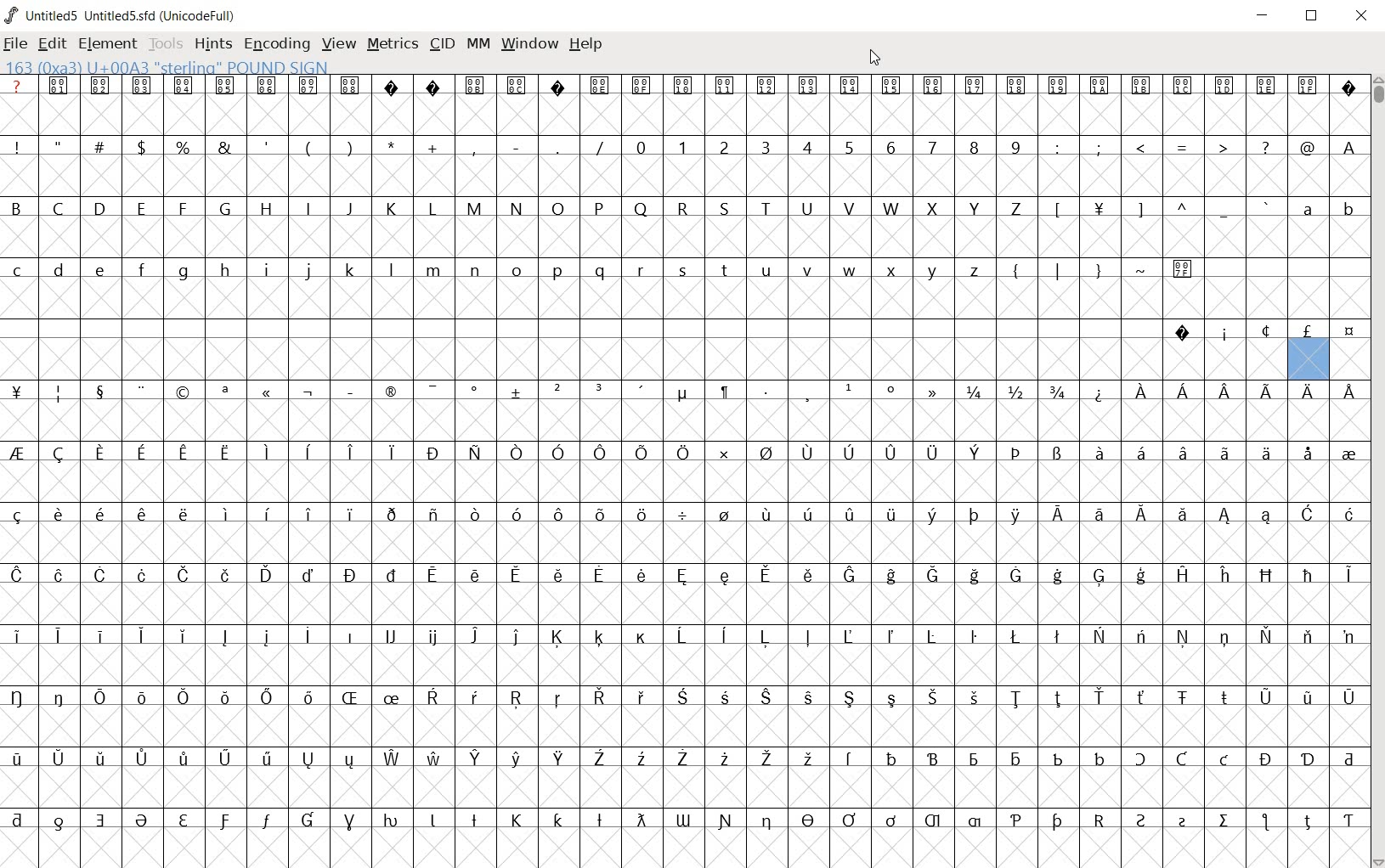  Describe the element at coordinates (59, 454) in the screenshot. I see `Symbol` at that location.